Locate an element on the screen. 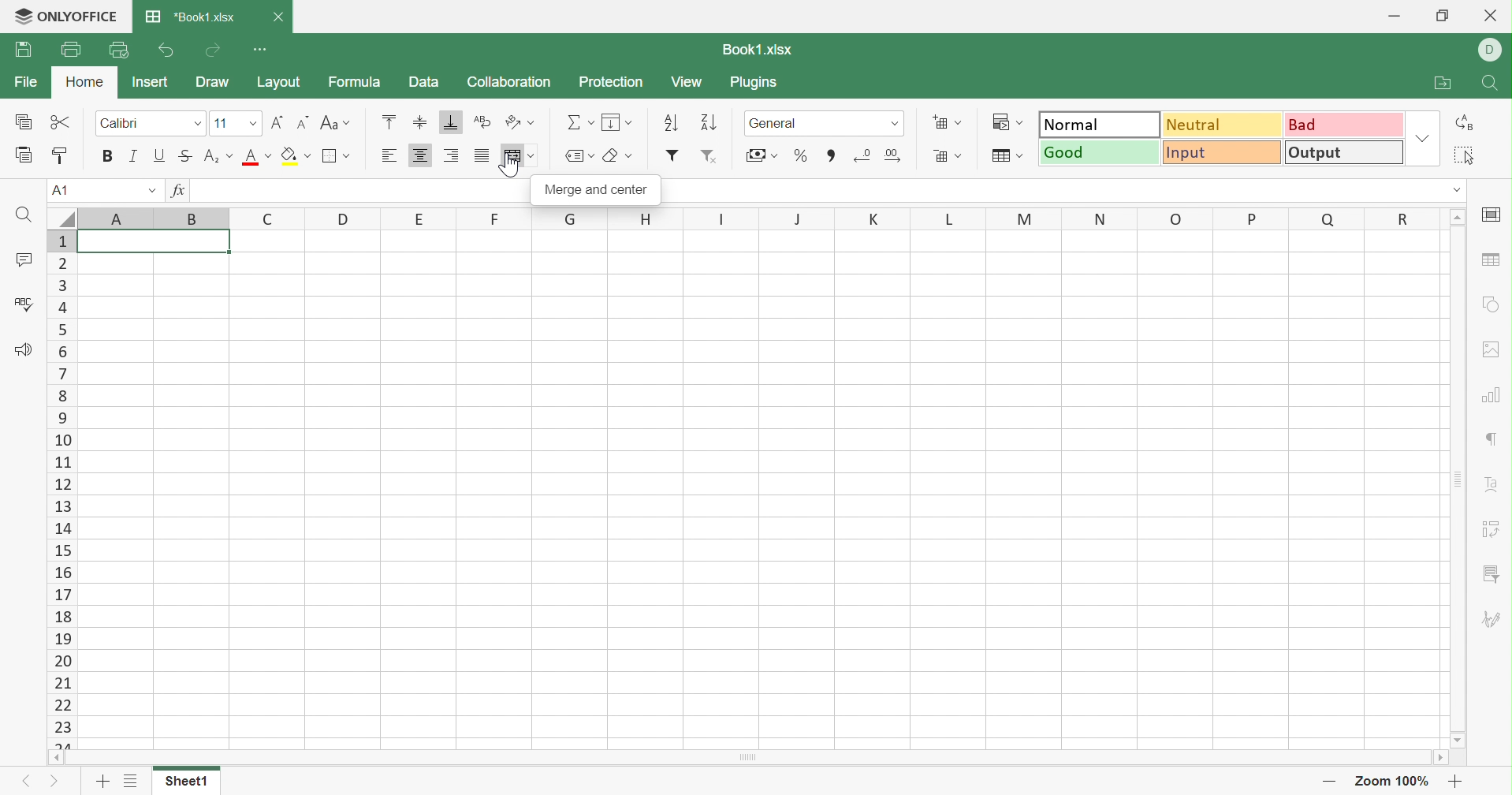 The image size is (1512, 795). Cut is located at coordinates (63, 123).